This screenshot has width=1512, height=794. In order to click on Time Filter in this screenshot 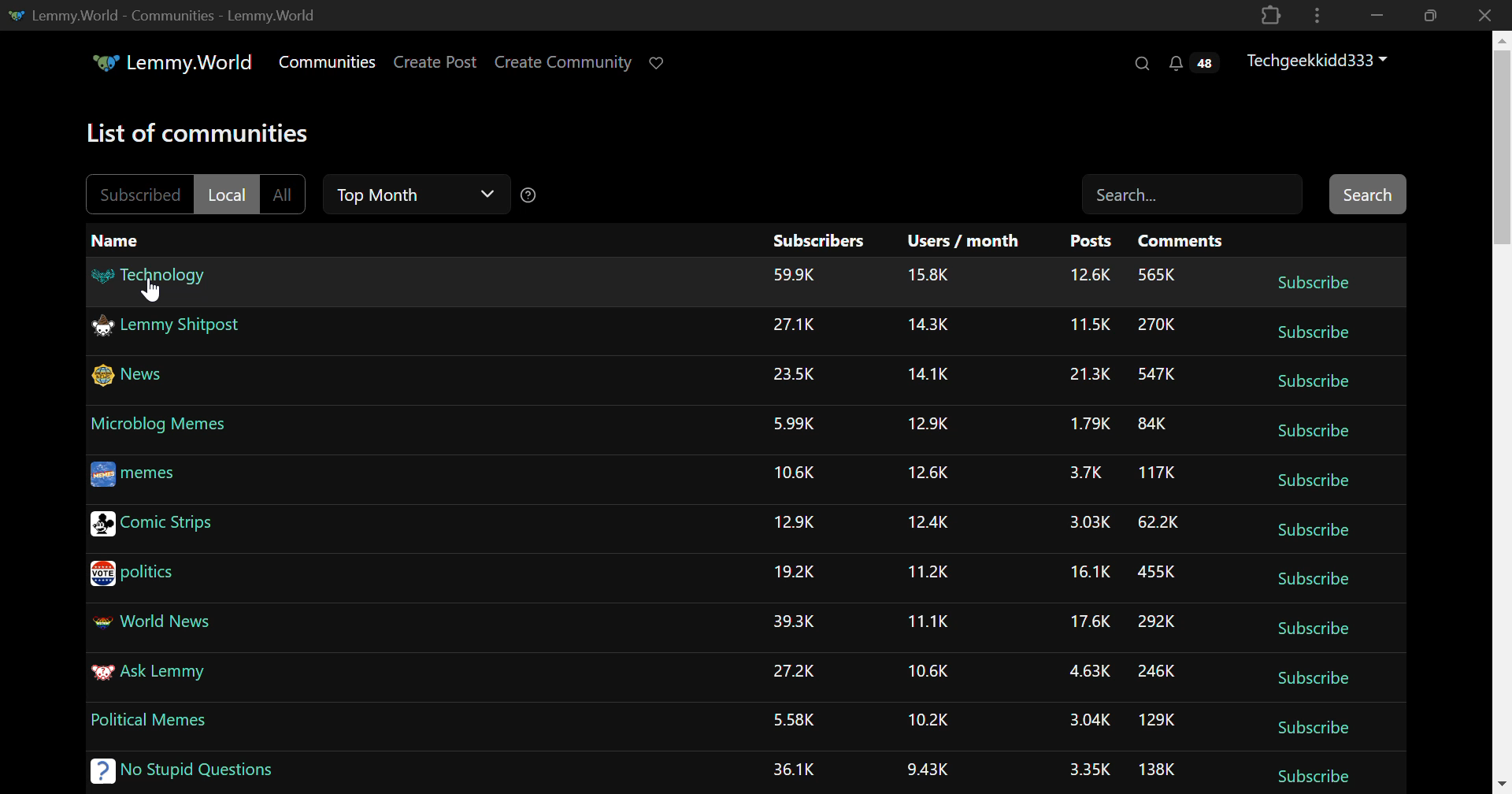, I will do `click(416, 194)`.